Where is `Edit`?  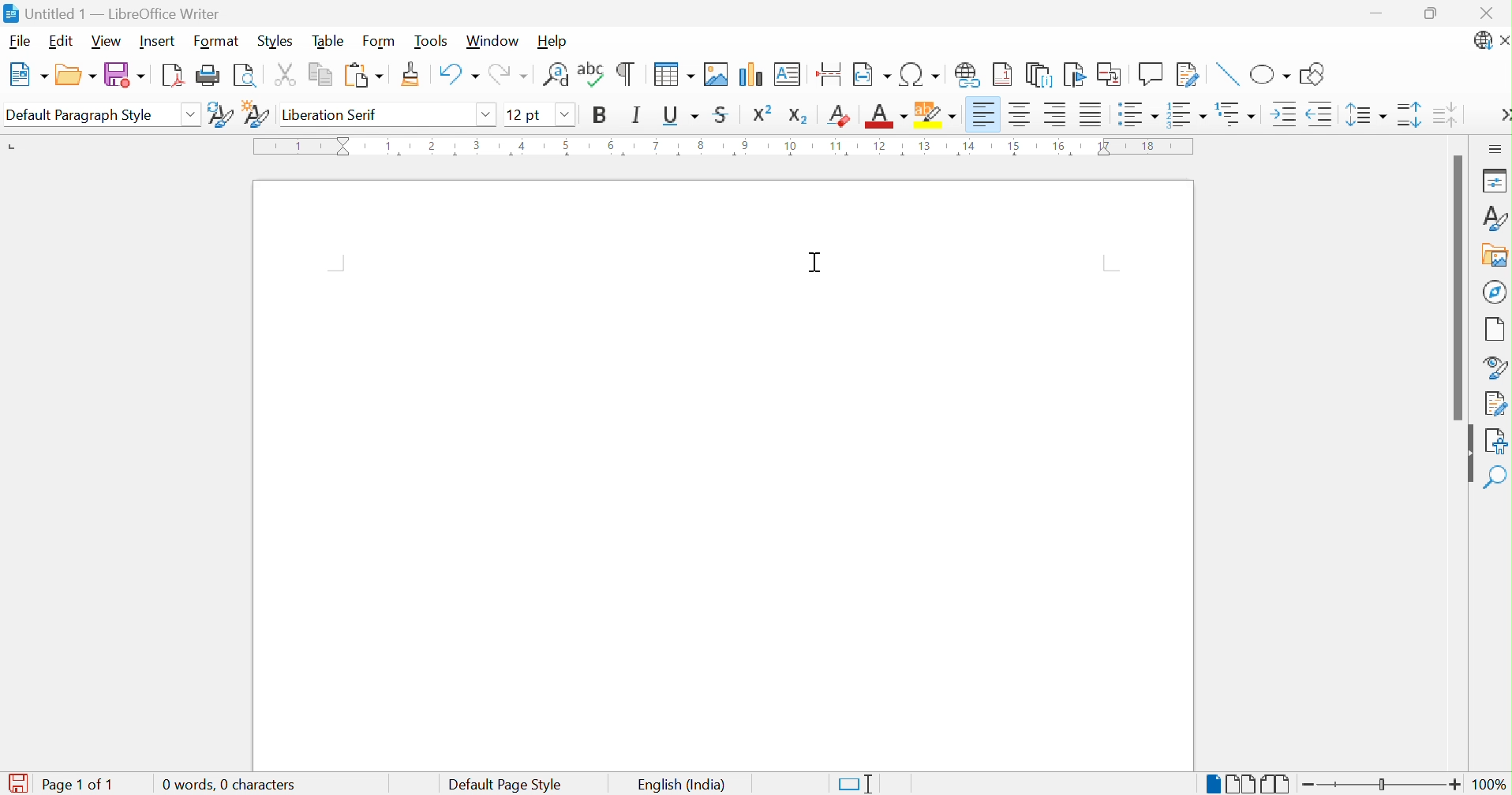
Edit is located at coordinates (65, 41).